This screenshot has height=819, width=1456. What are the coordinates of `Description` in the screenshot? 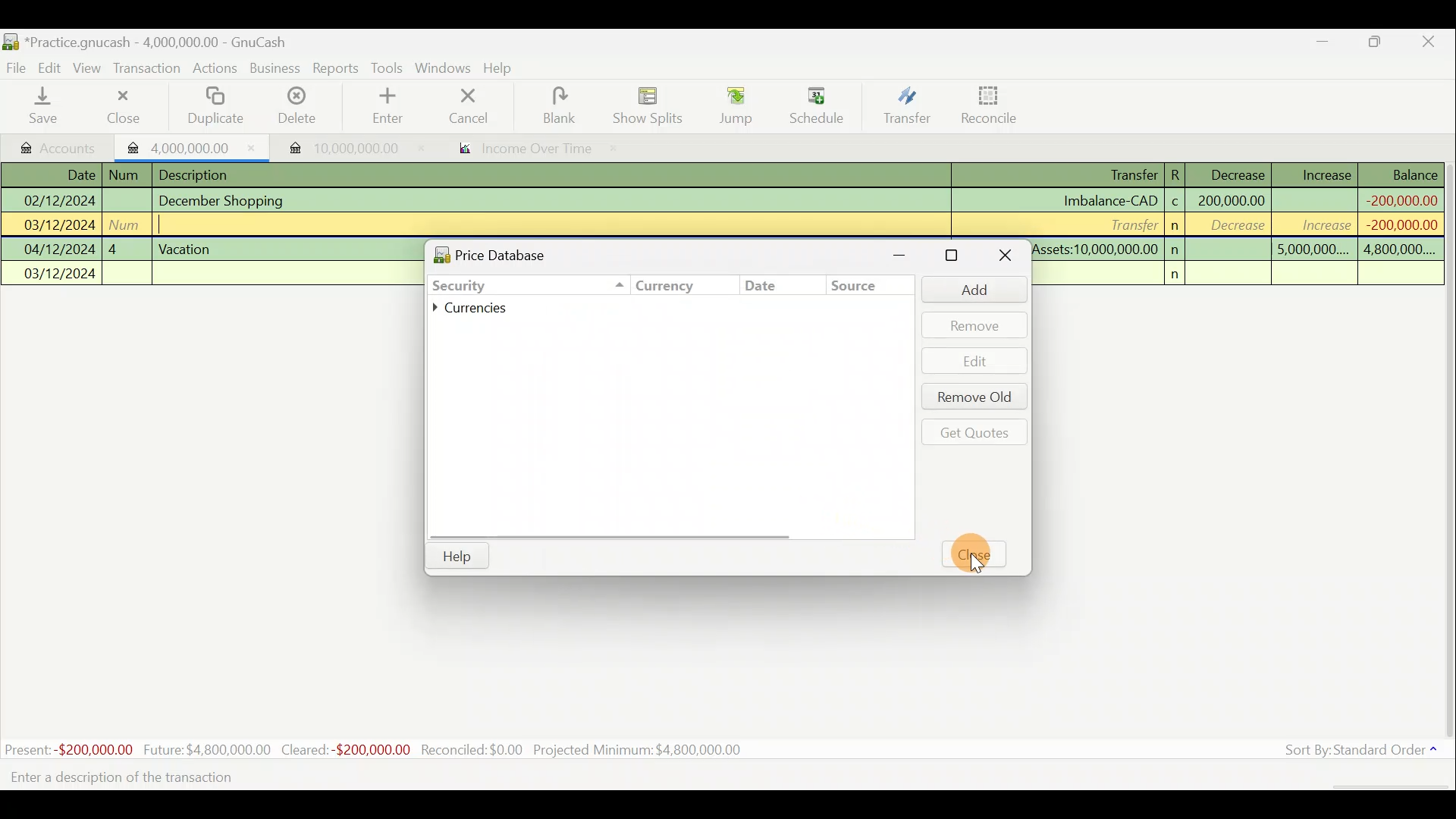 It's located at (199, 173).